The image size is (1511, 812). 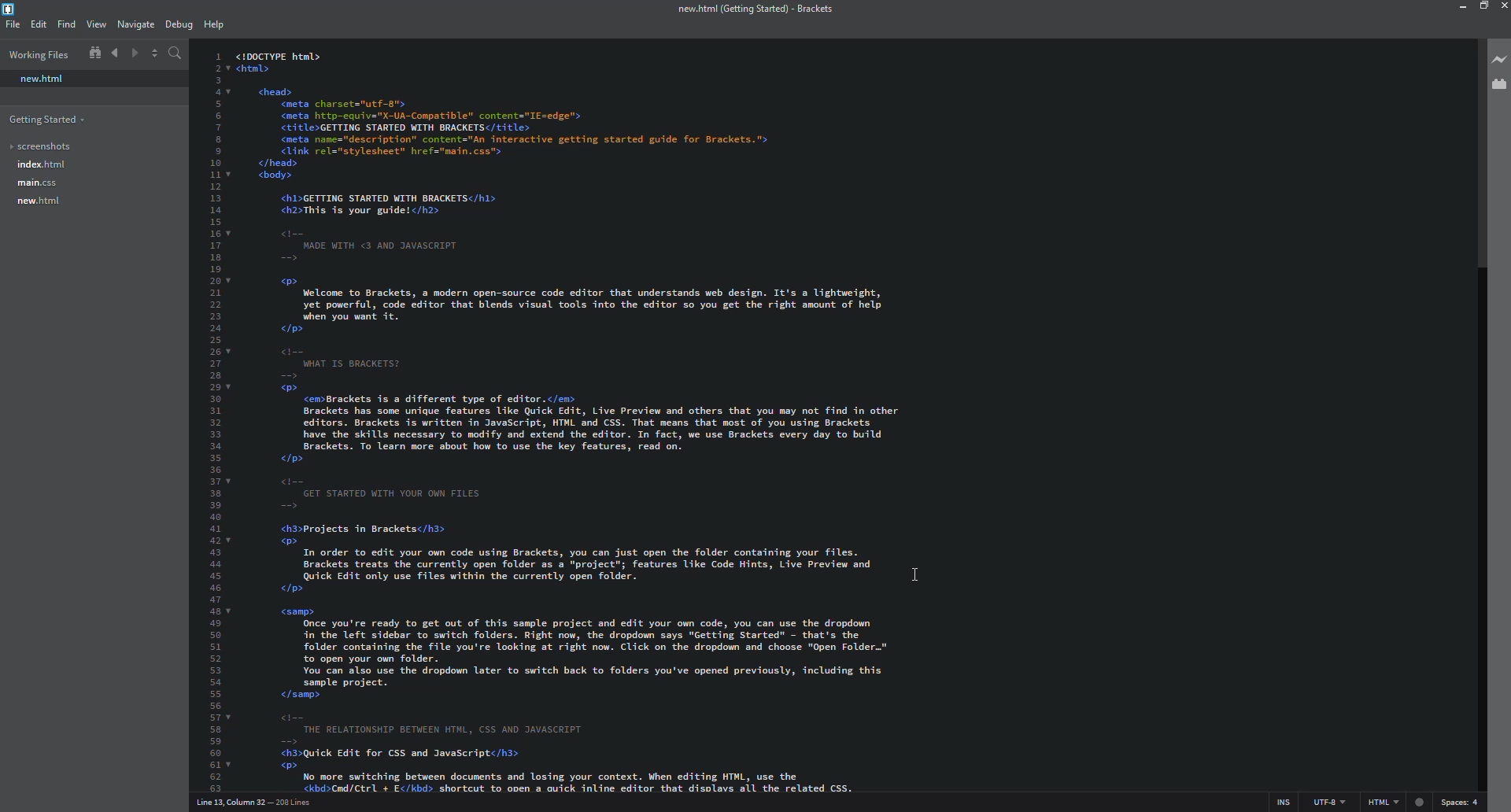 I want to click on help, so click(x=212, y=24).